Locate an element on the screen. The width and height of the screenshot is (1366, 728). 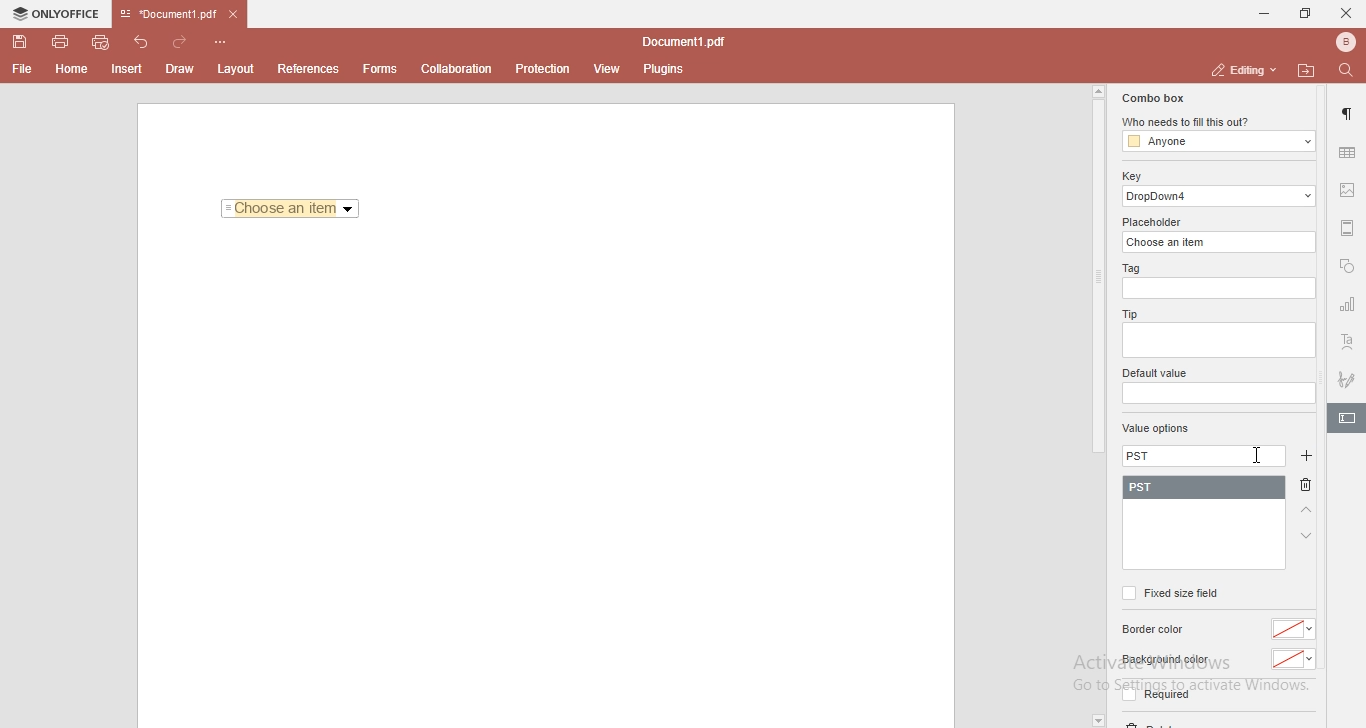
print is located at coordinates (59, 40).